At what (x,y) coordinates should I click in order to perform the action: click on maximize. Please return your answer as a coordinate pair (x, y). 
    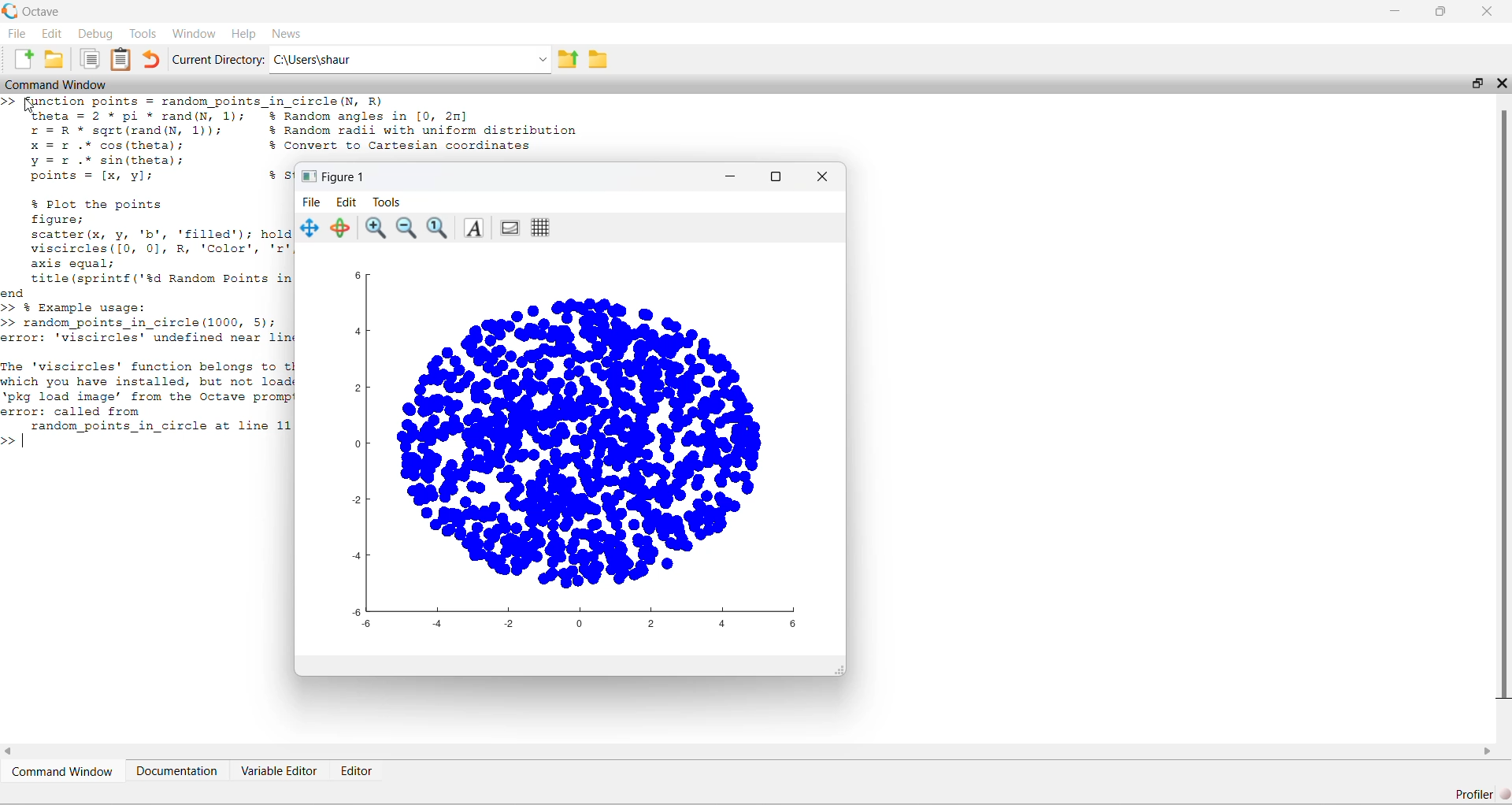
    Looking at the image, I should click on (775, 176).